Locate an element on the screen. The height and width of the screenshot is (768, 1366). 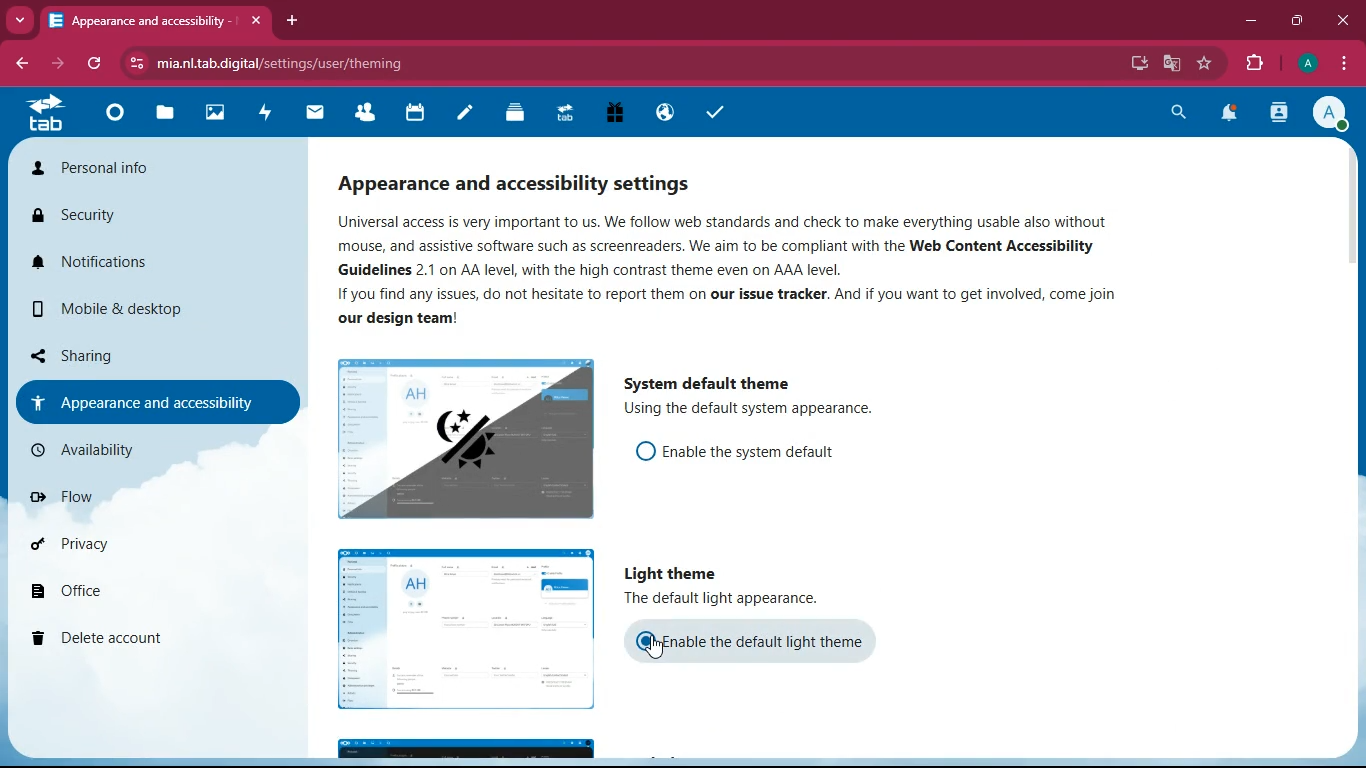
desktop is located at coordinates (1131, 63).